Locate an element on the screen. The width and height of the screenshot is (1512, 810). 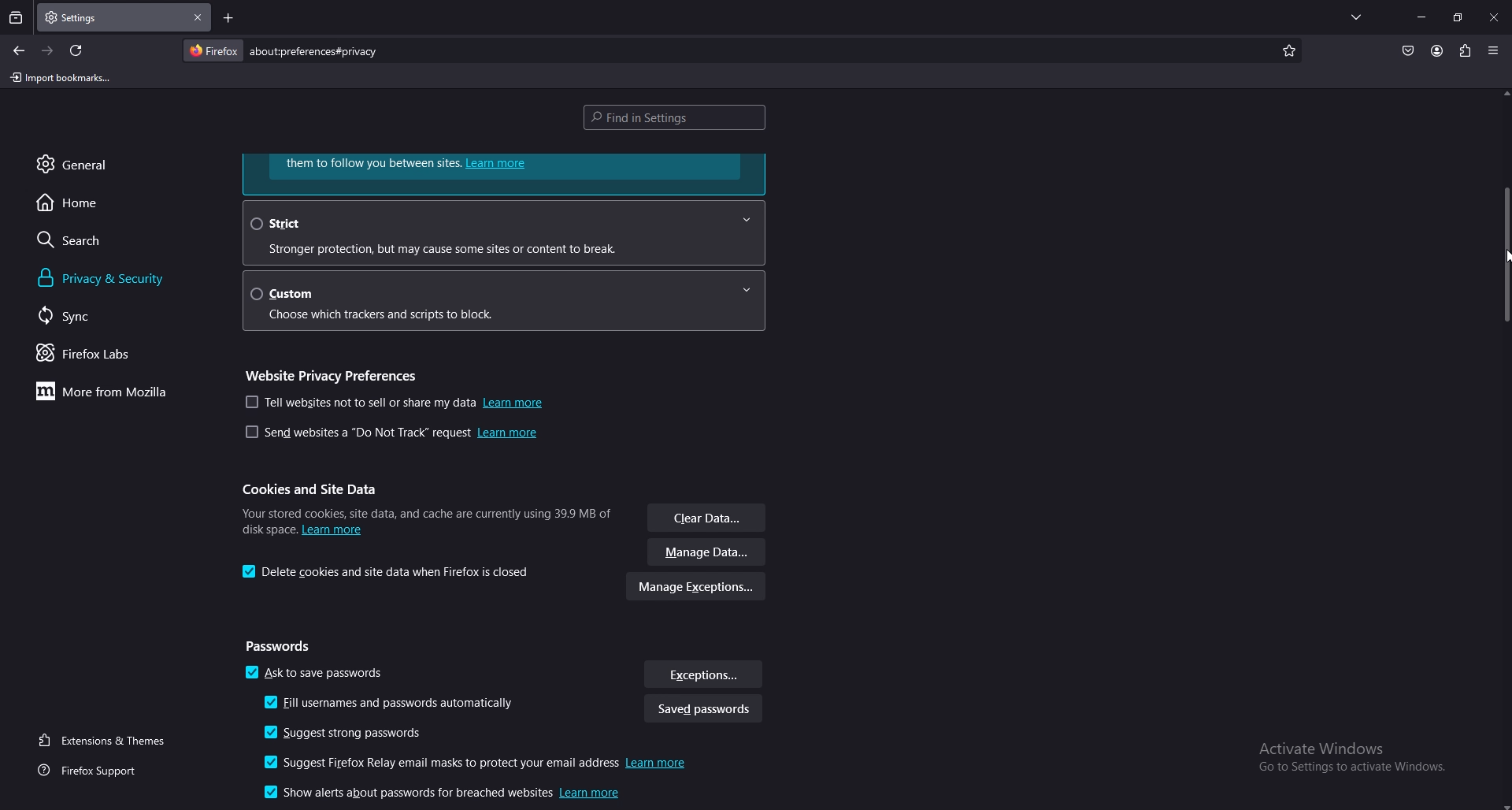
account is located at coordinates (1436, 50).